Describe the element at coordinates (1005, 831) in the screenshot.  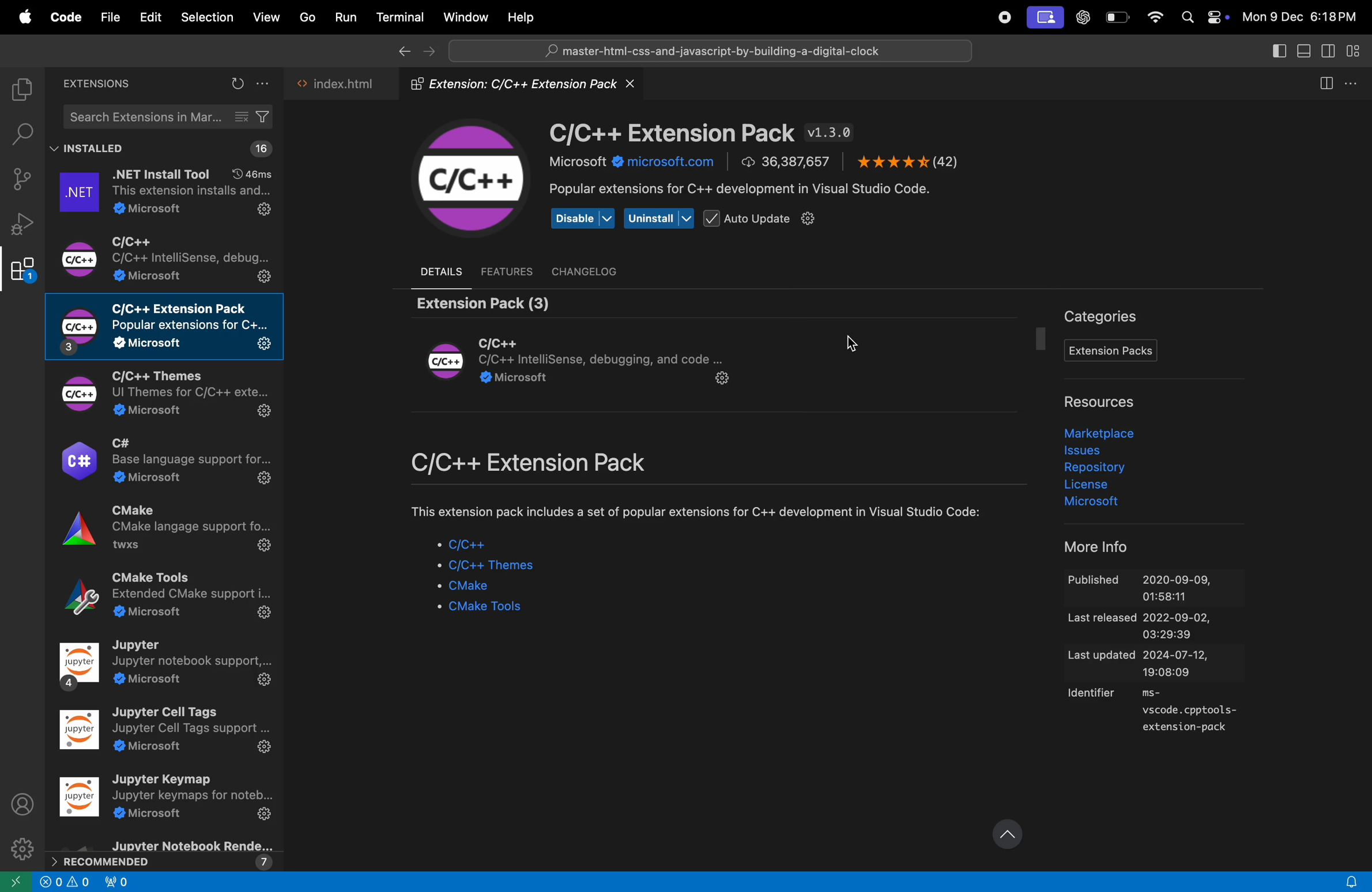
I see `update` at that location.